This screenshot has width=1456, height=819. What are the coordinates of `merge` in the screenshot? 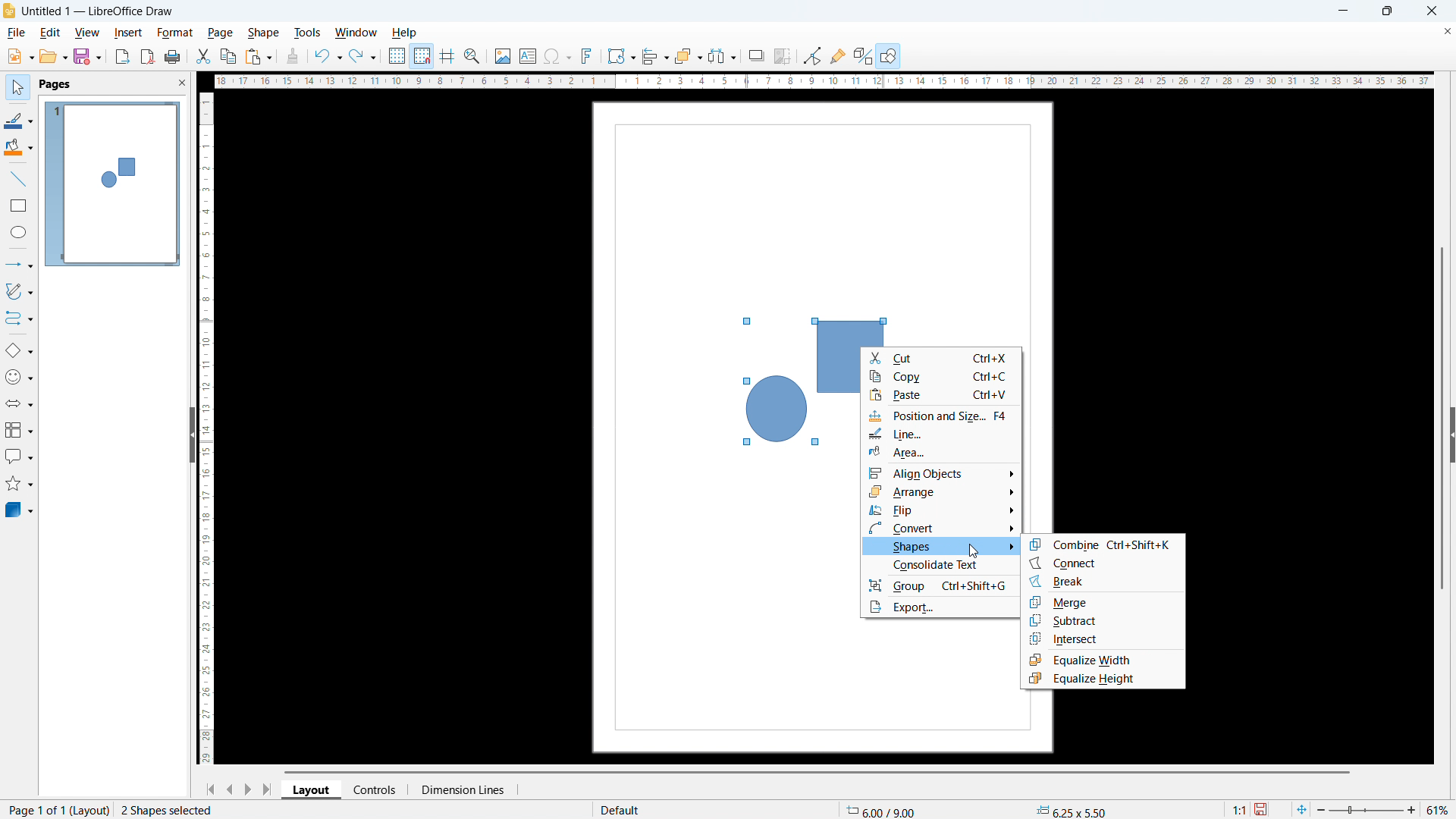 It's located at (1104, 601).